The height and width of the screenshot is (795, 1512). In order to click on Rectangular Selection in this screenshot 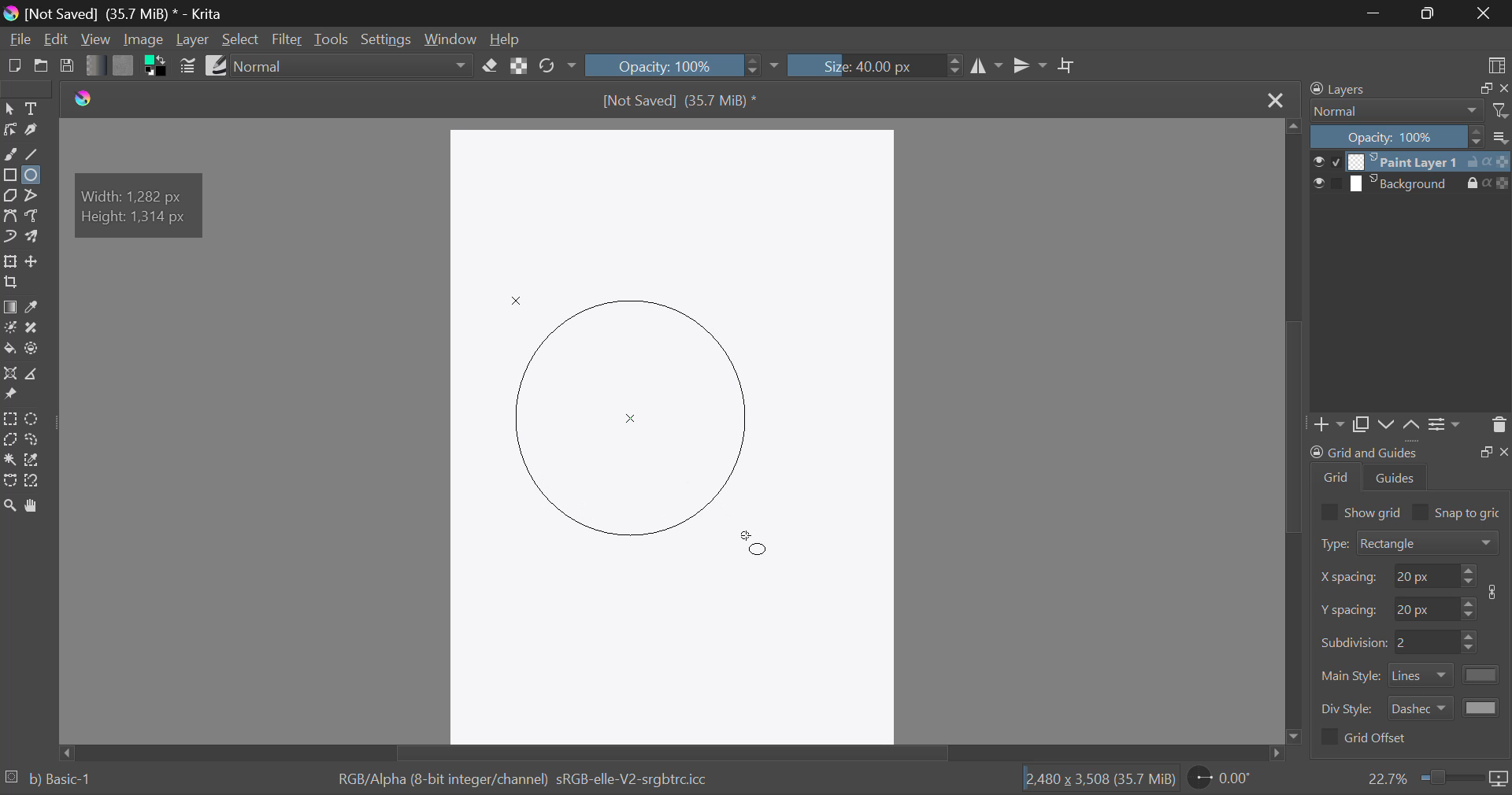, I will do `click(9, 419)`.